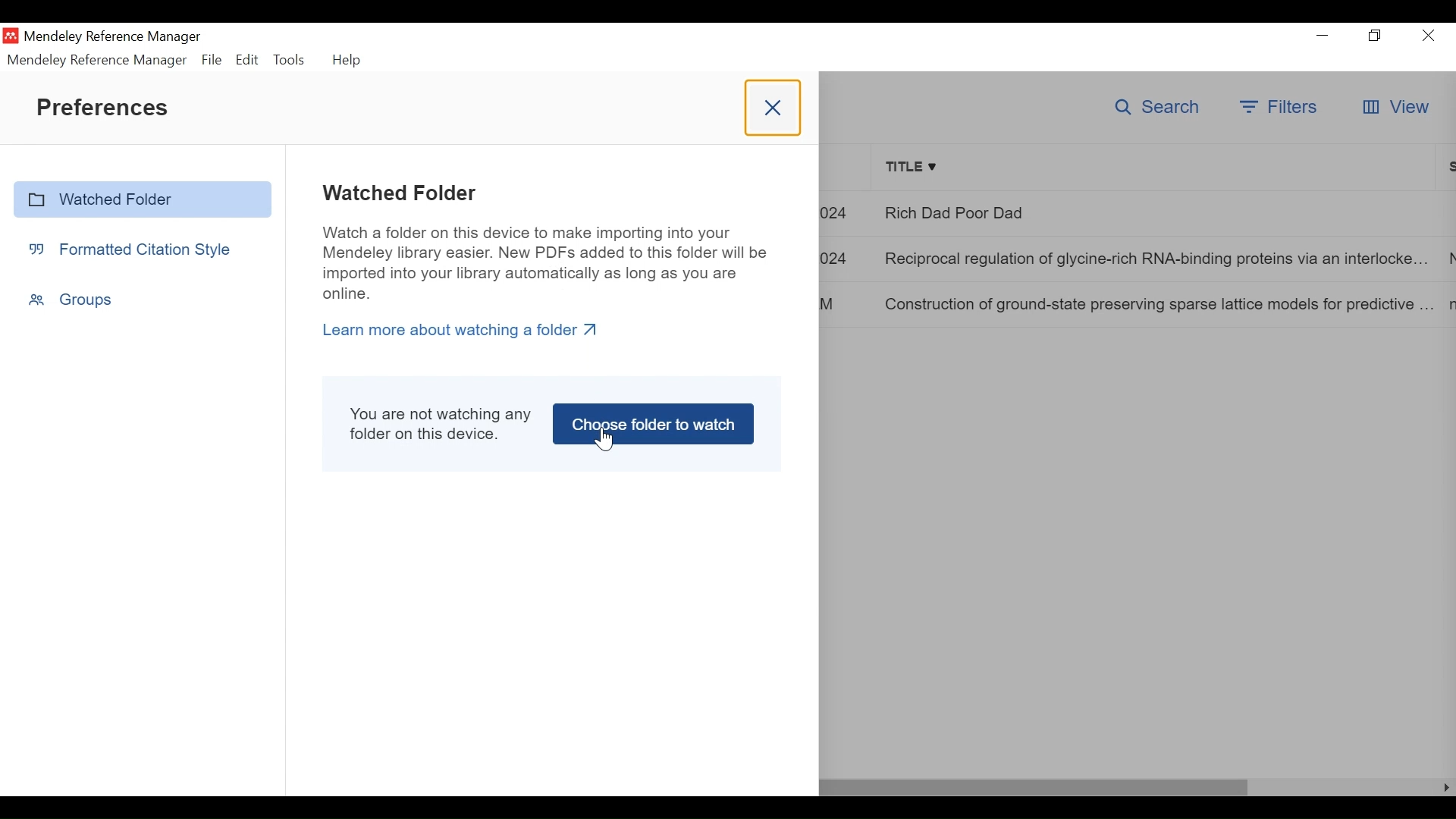 The image size is (1456, 819). I want to click on Reciprocal regulation of glycine-rich RNA-binding proteins via an interlocke..., so click(1153, 259).